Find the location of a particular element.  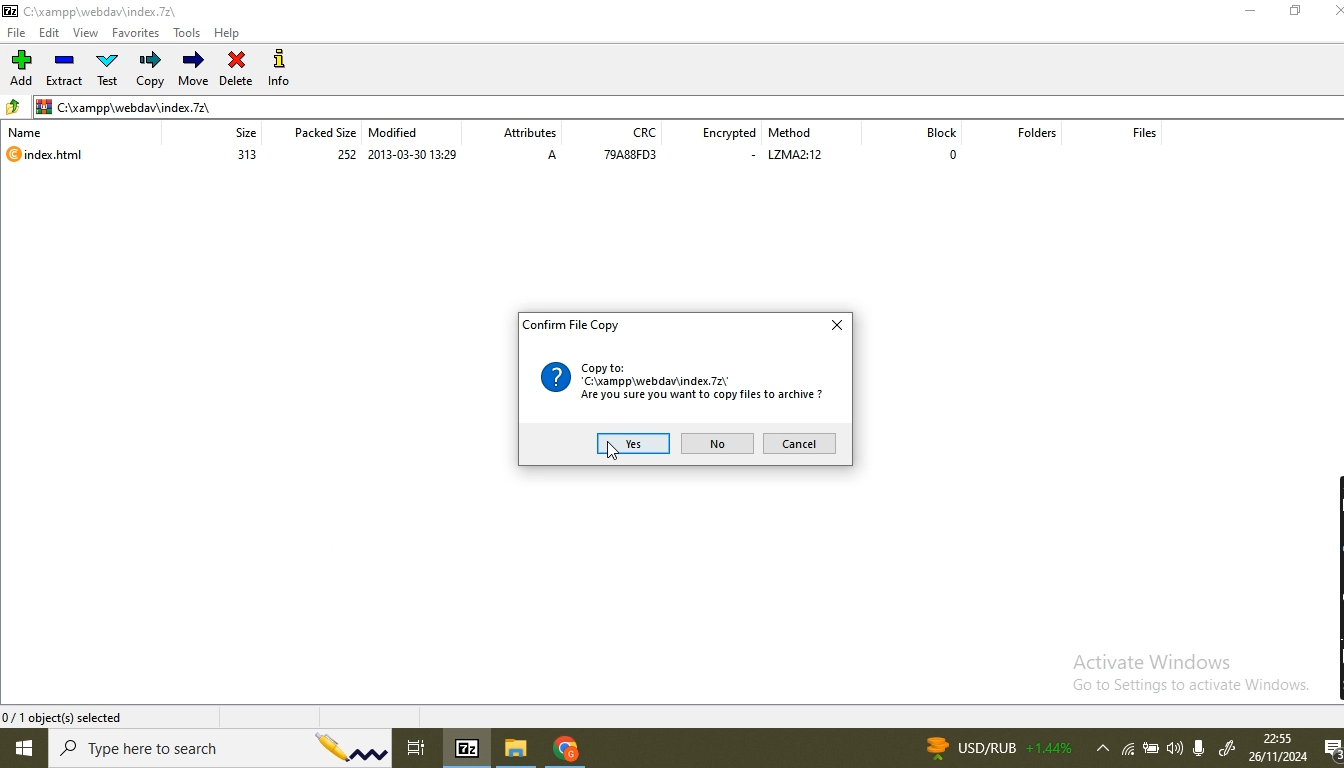

minimise is located at coordinates (1249, 13).